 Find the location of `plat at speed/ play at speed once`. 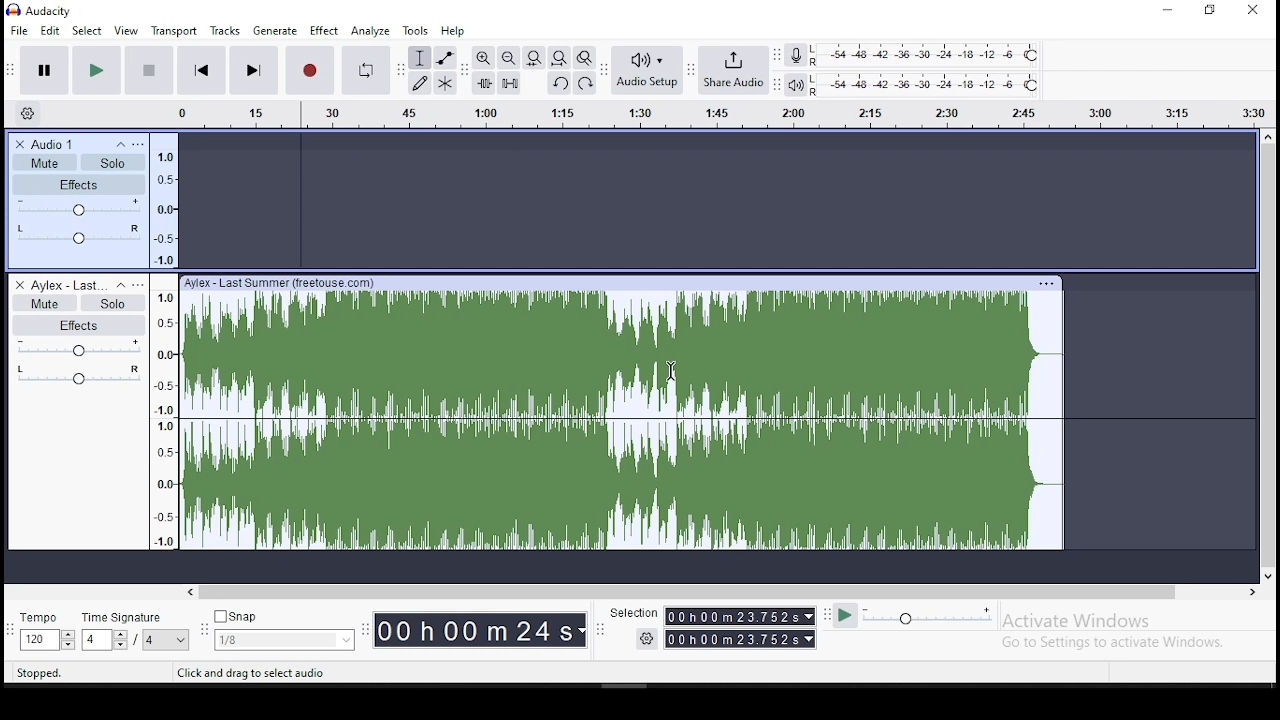

plat at speed/ play at speed once is located at coordinates (913, 617).